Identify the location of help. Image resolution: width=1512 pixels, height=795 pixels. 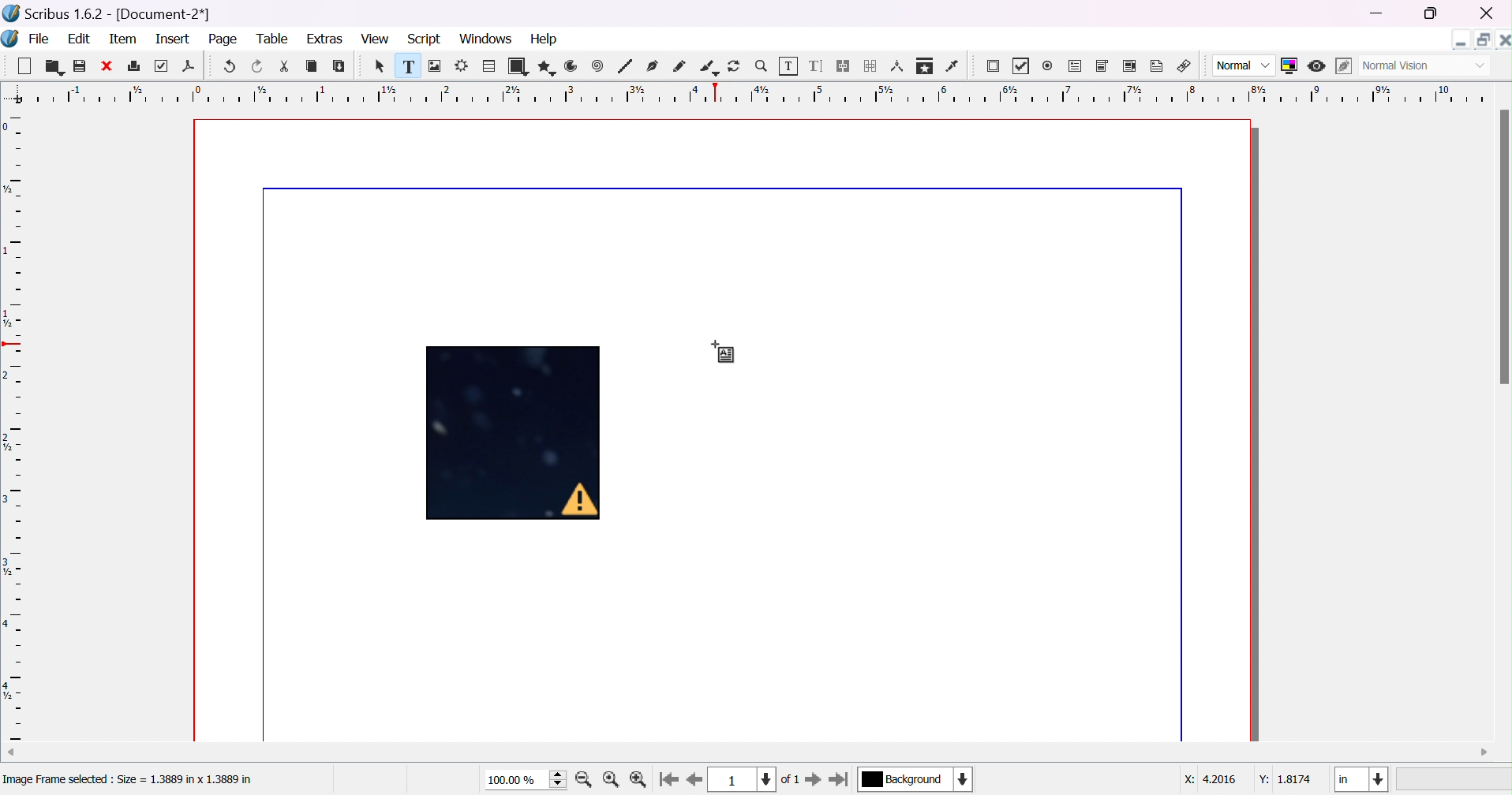
(546, 38).